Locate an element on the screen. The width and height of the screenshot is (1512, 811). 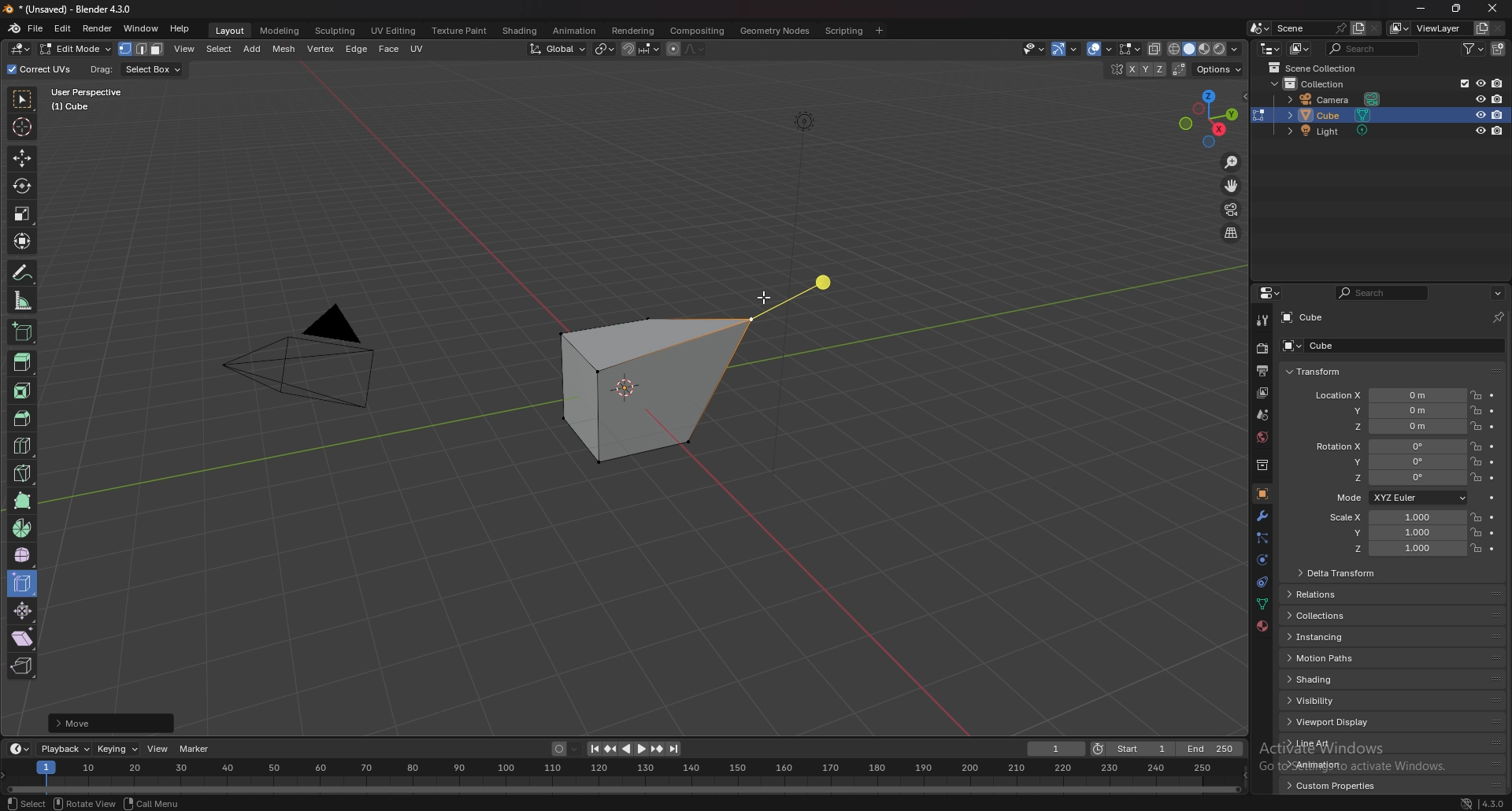
proportional editing object is located at coordinates (674, 50).